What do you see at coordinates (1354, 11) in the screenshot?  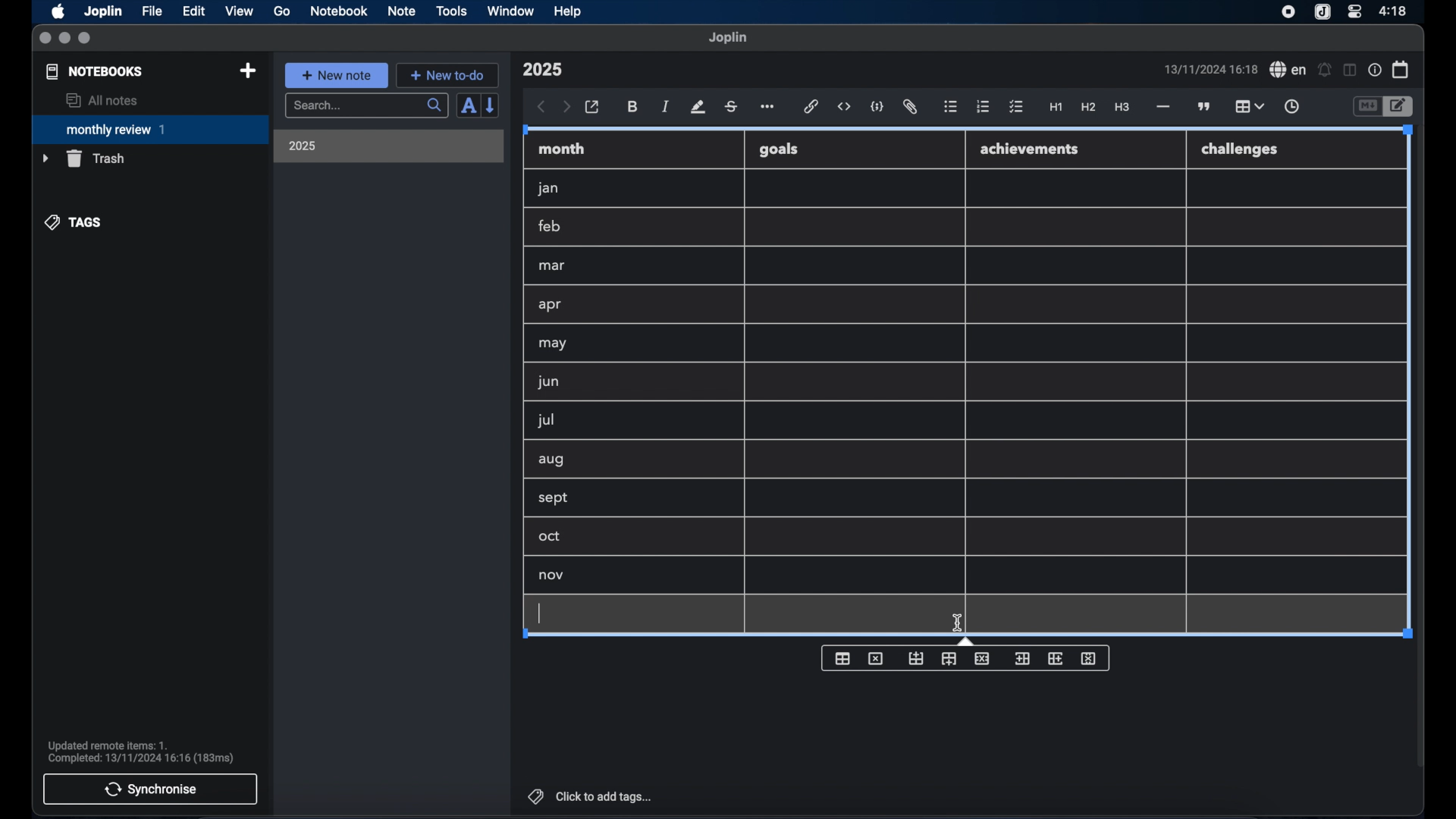 I see `control center` at bounding box center [1354, 11].